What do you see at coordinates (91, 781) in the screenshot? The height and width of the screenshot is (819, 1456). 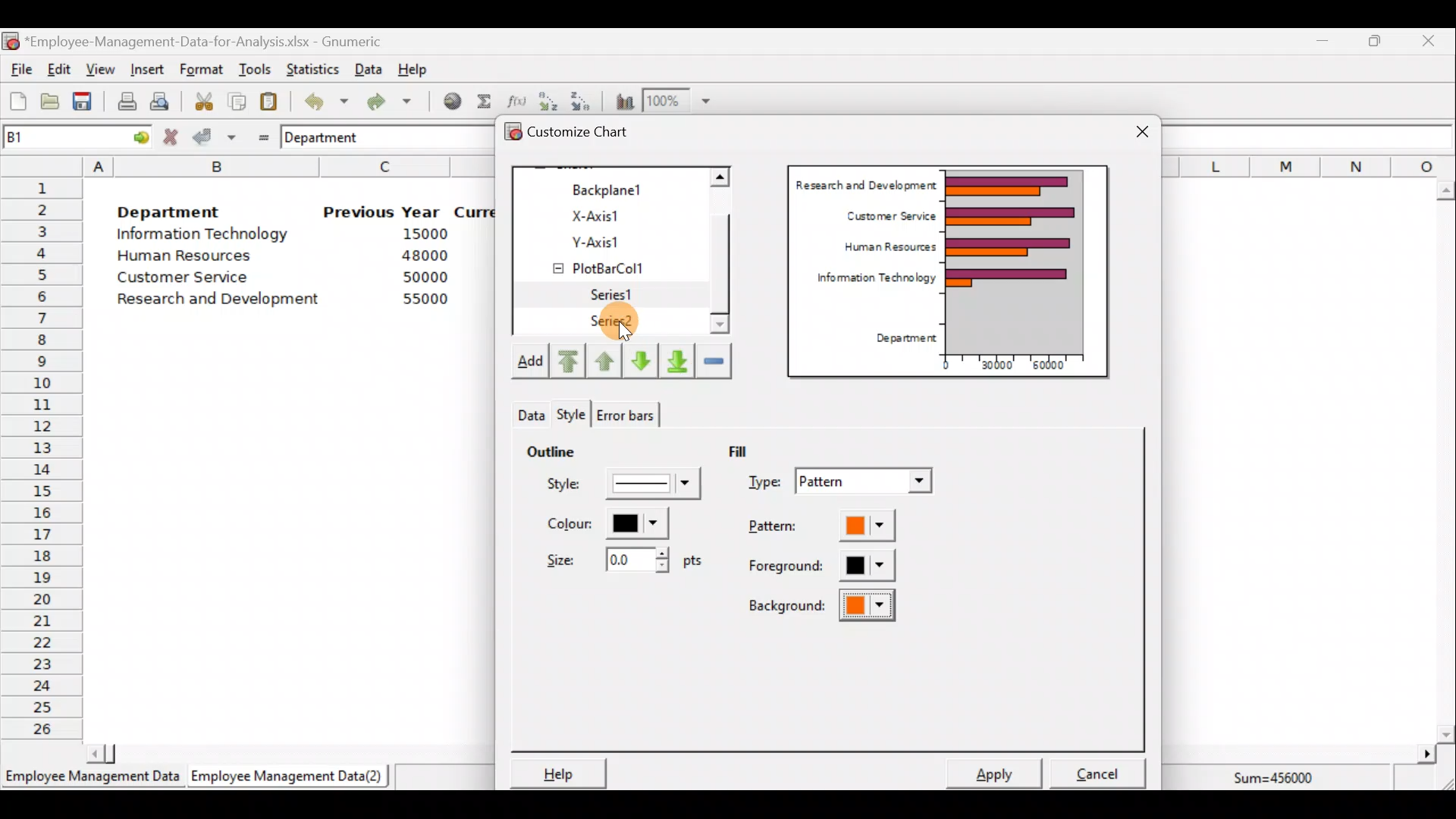 I see `Employee Management Data` at bounding box center [91, 781].